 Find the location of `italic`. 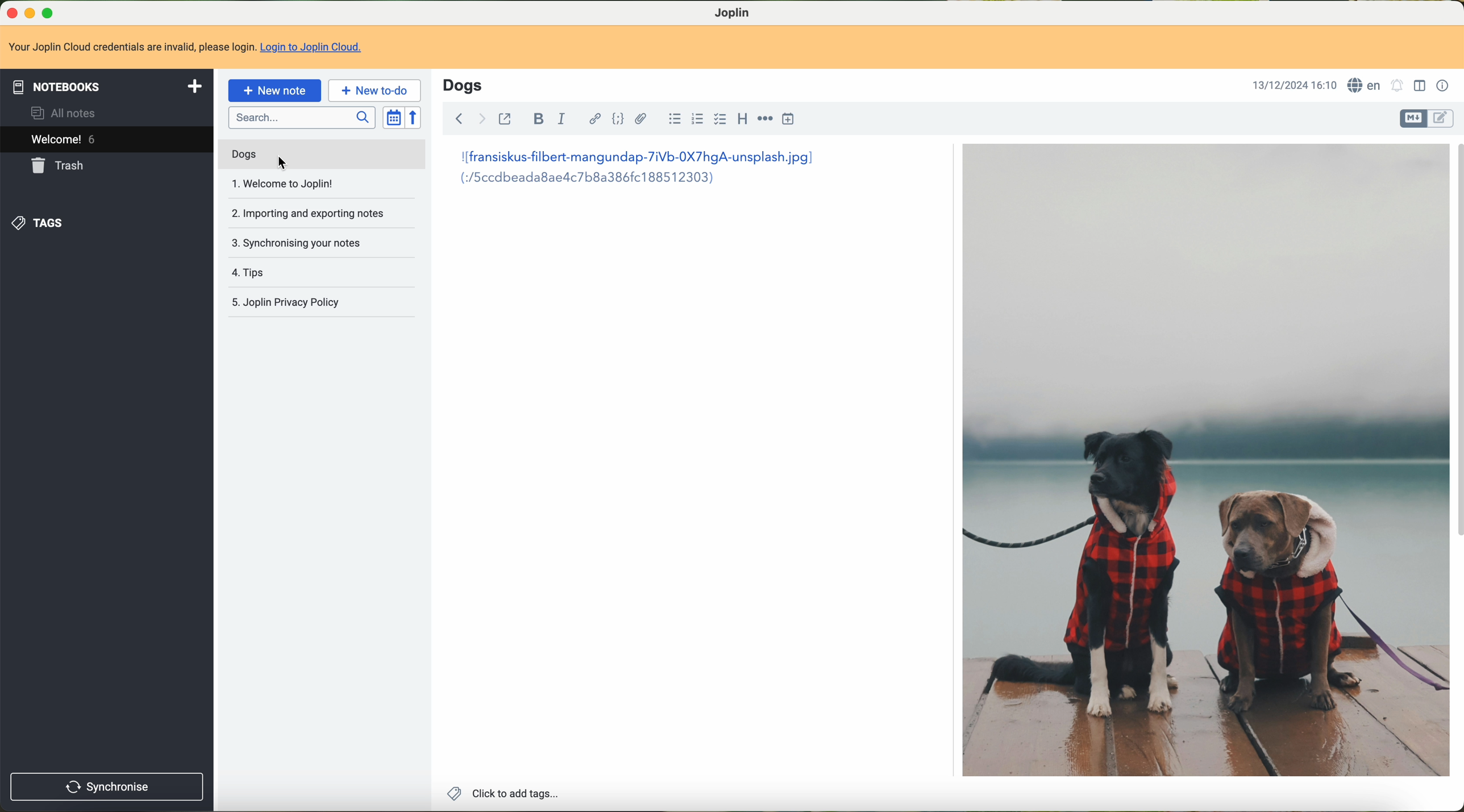

italic is located at coordinates (562, 120).